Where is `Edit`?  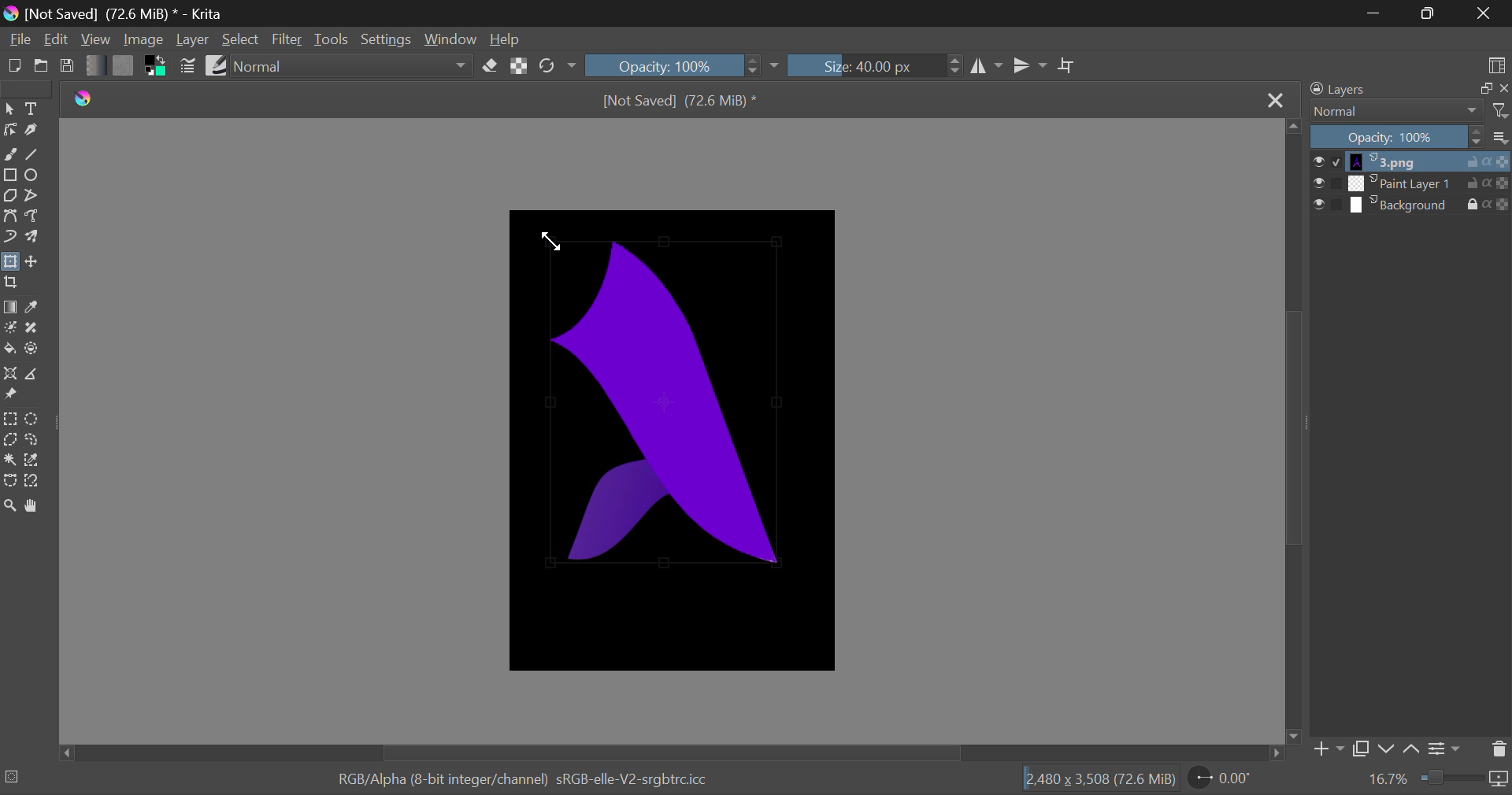 Edit is located at coordinates (58, 39).